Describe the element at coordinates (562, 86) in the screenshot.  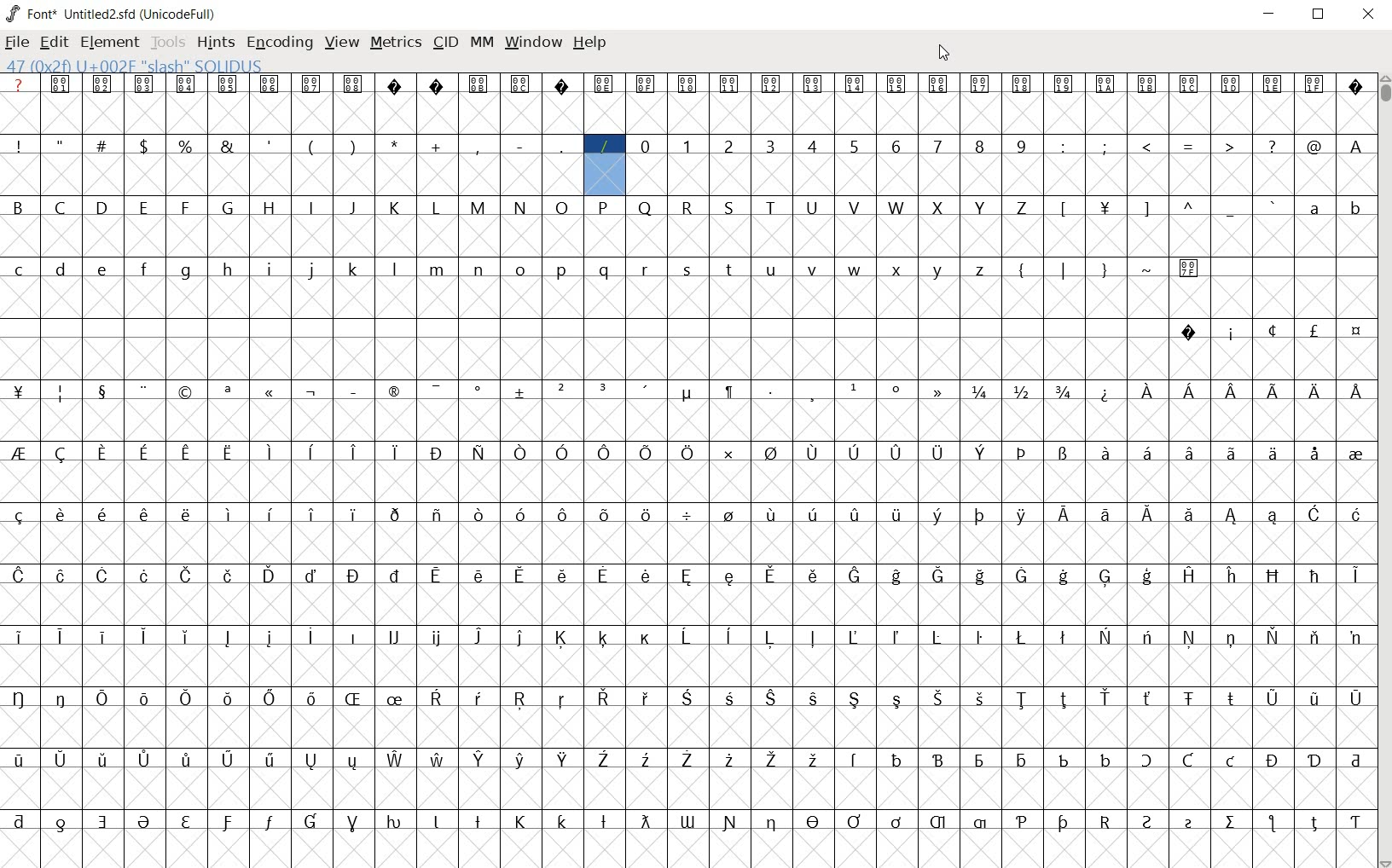
I see `glyph` at that location.